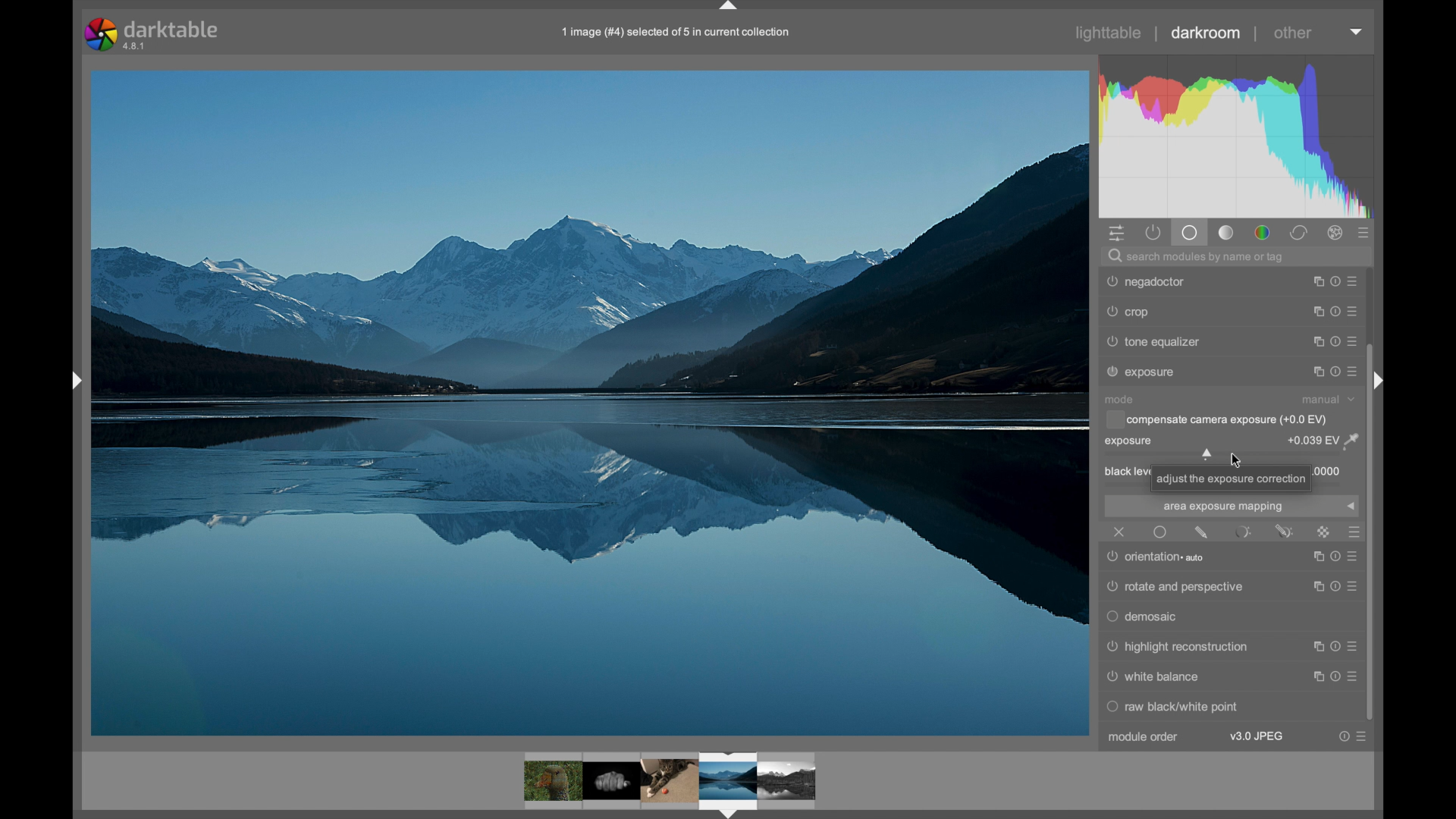 This screenshot has width=1456, height=819. Describe the element at coordinates (1119, 399) in the screenshot. I see `mode` at that location.